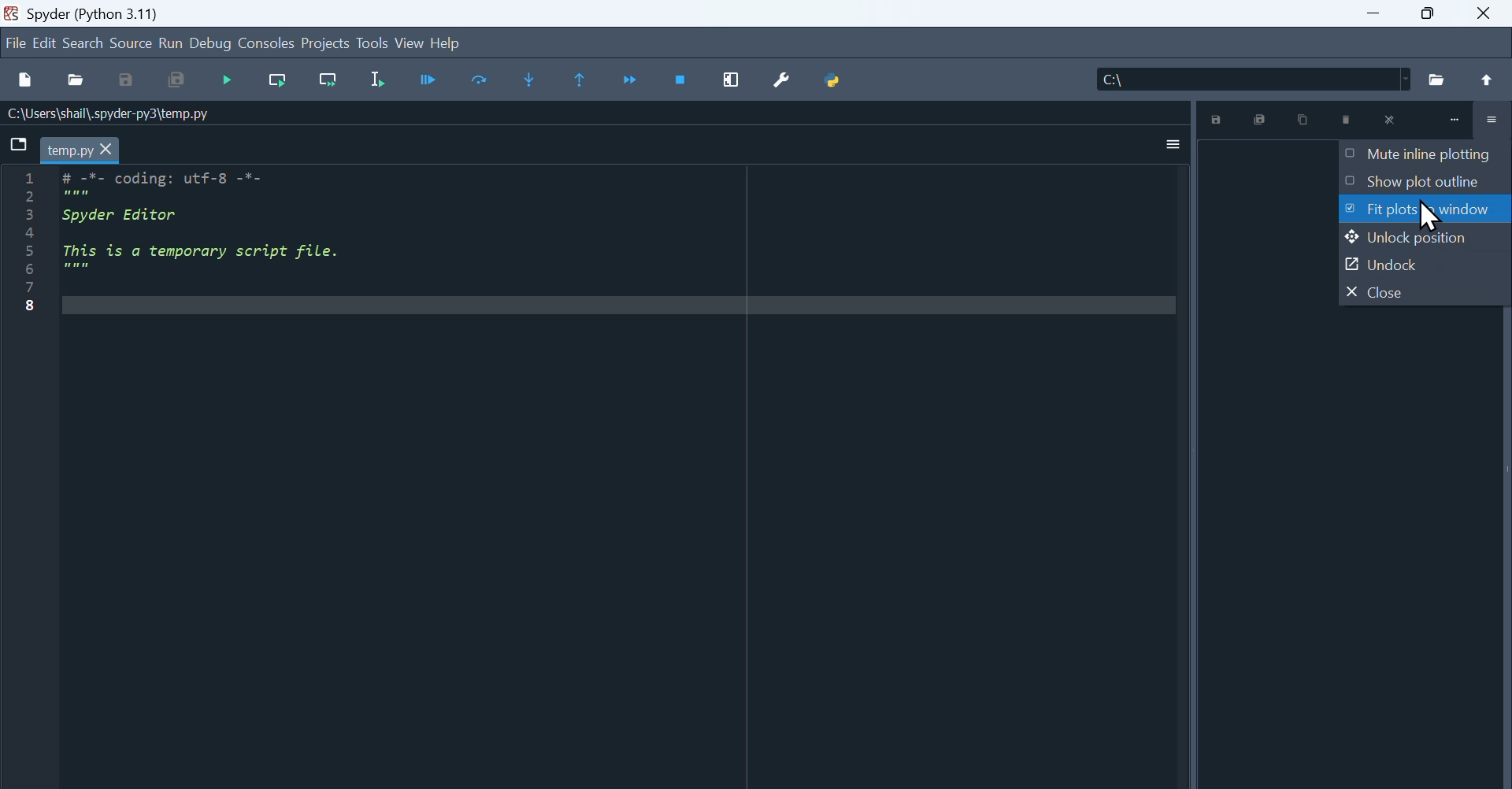  What do you see at coordinates (280, 80) in the screenshot?
I see `run current line of function` at bounding box center [280, 80].